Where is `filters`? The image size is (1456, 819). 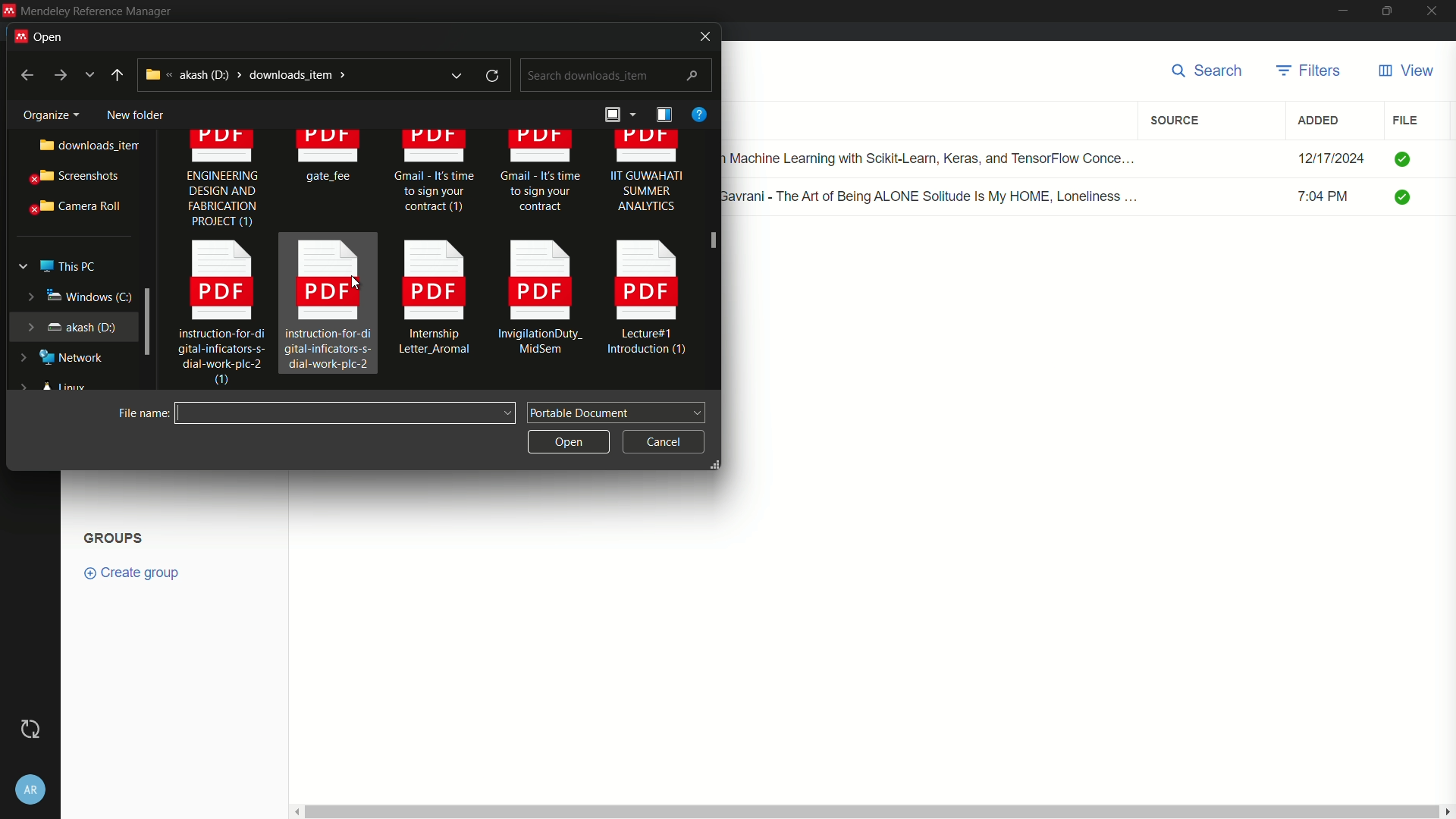 filters is located at coordinates (1310, 71).